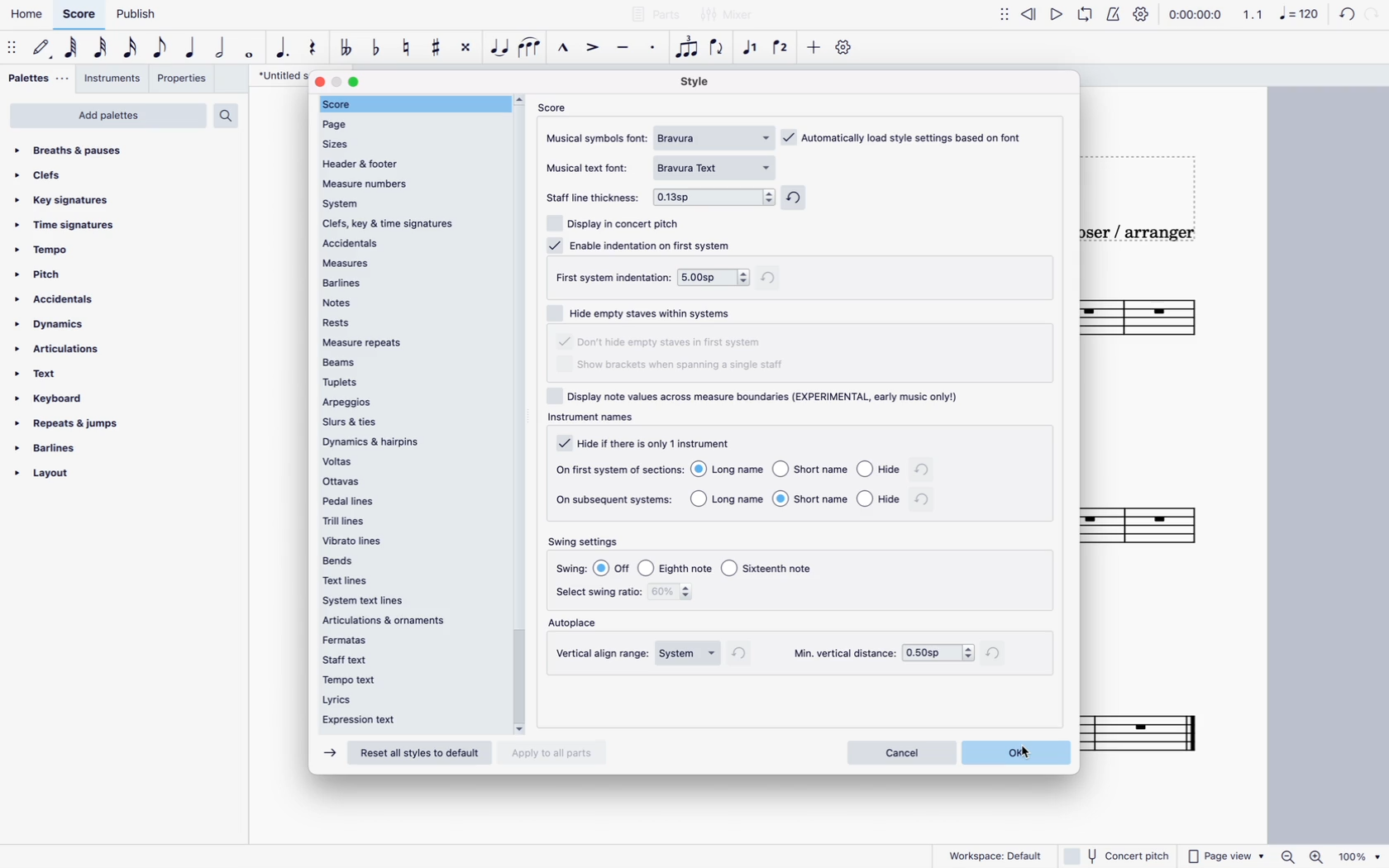 The image size is (1389, 868). I want to click on minimize, so click(337, 82).